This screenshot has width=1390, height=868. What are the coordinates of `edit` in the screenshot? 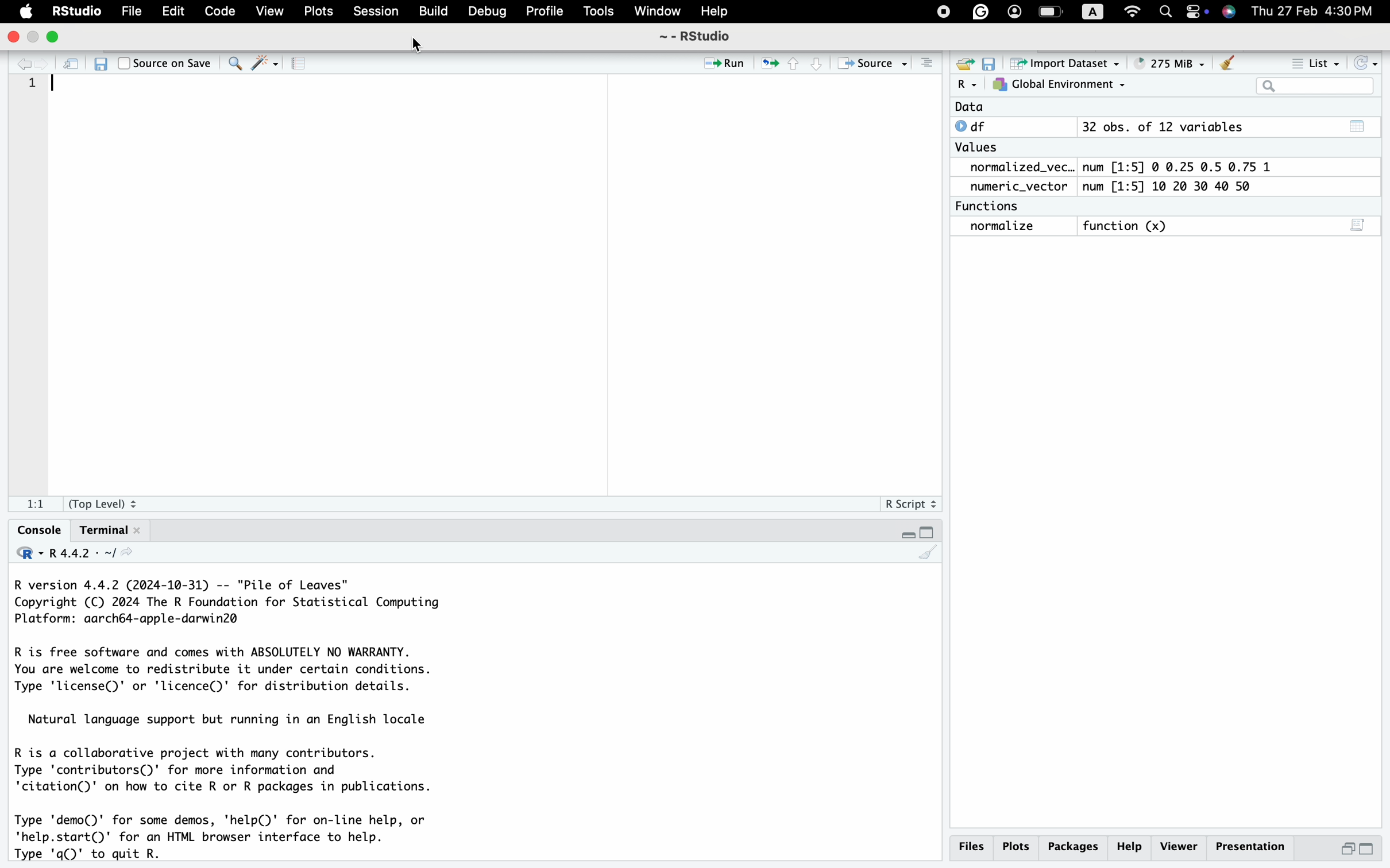 It's located at (174, 11).